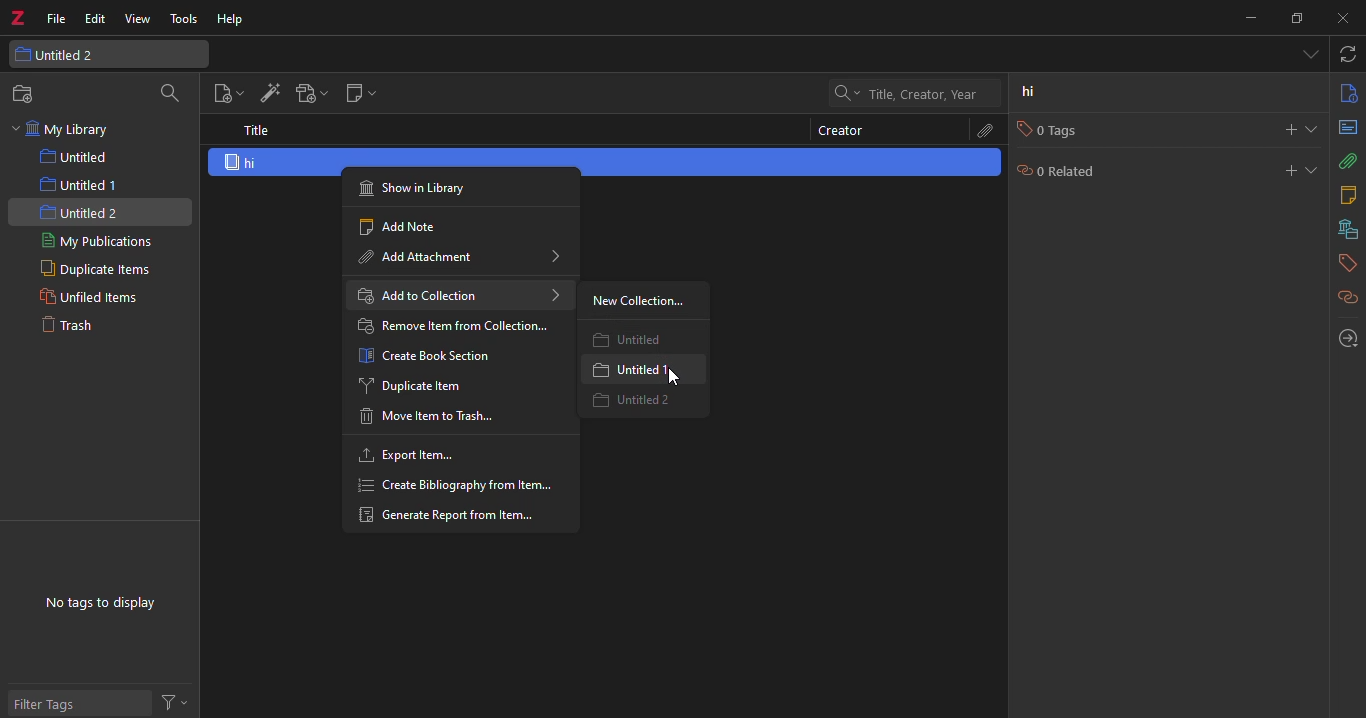 The image size is (1366, 718). What do you see at coordinates (455, 326) in the screenshot?
I see `remove item from collection` at bounding box center [455, 326].